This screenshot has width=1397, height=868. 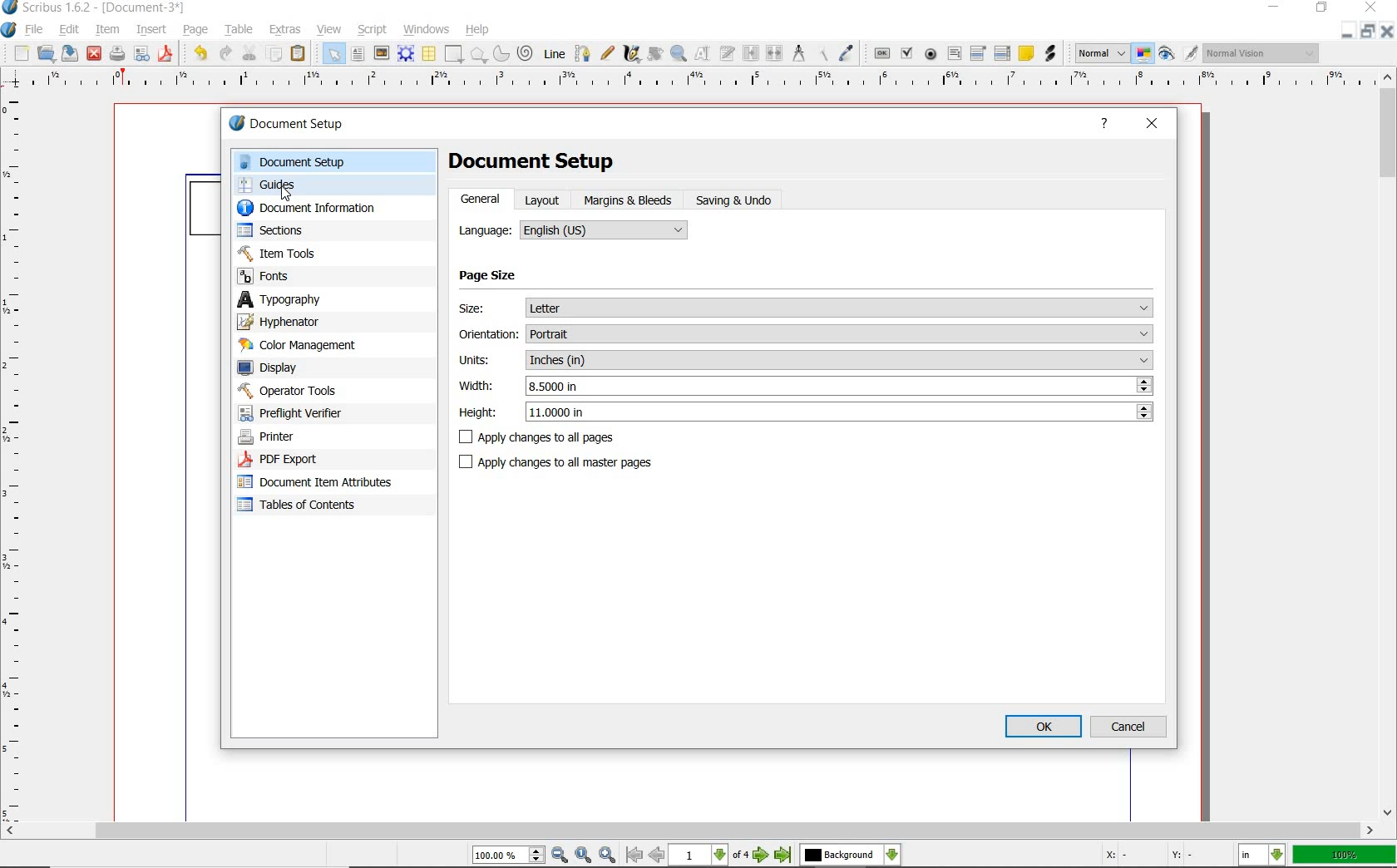 I want to click on apply changes to all master pages, so click(x=560, y=462).